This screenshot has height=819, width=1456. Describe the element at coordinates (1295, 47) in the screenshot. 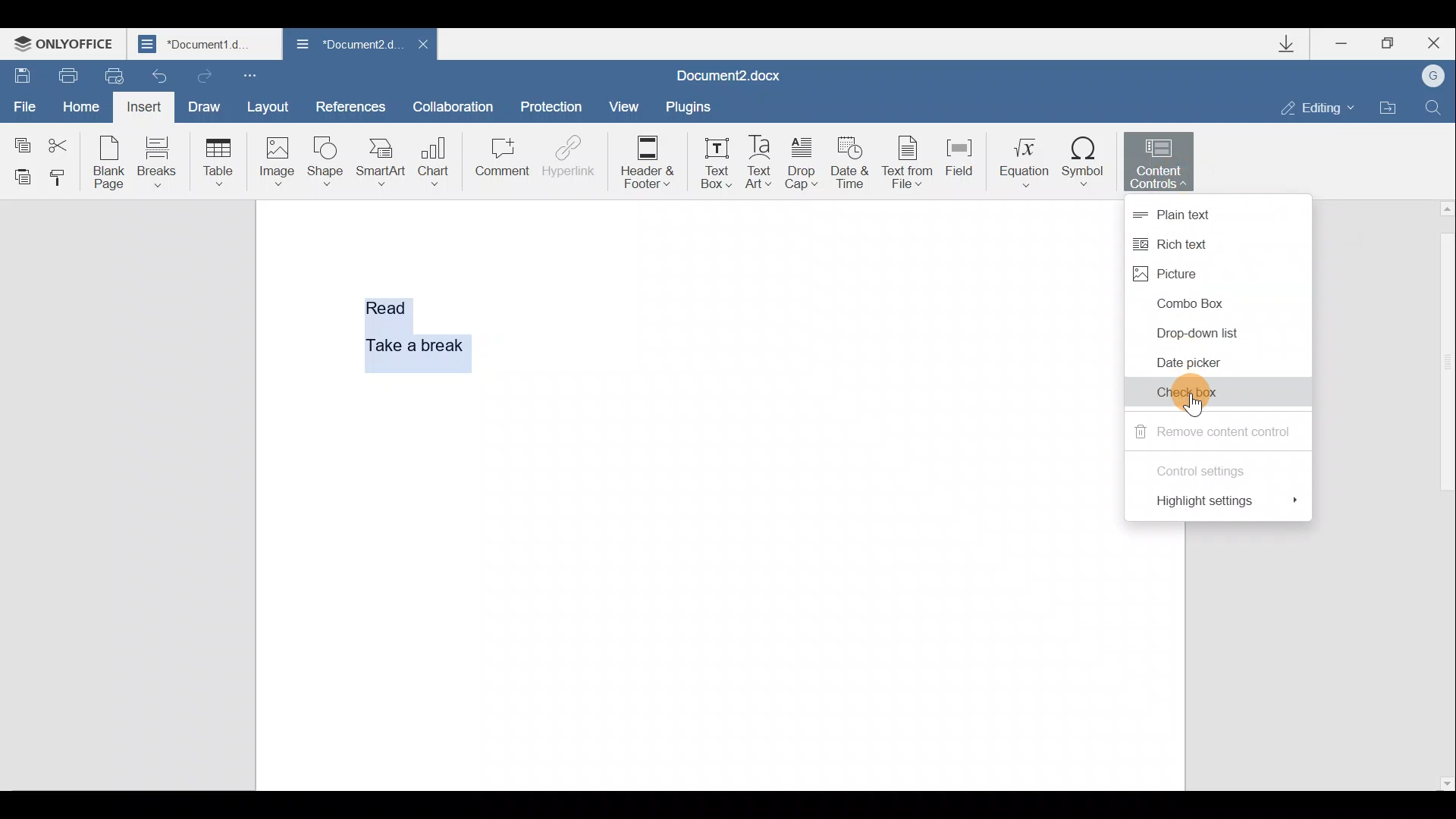

I see `Downloads` at that location.